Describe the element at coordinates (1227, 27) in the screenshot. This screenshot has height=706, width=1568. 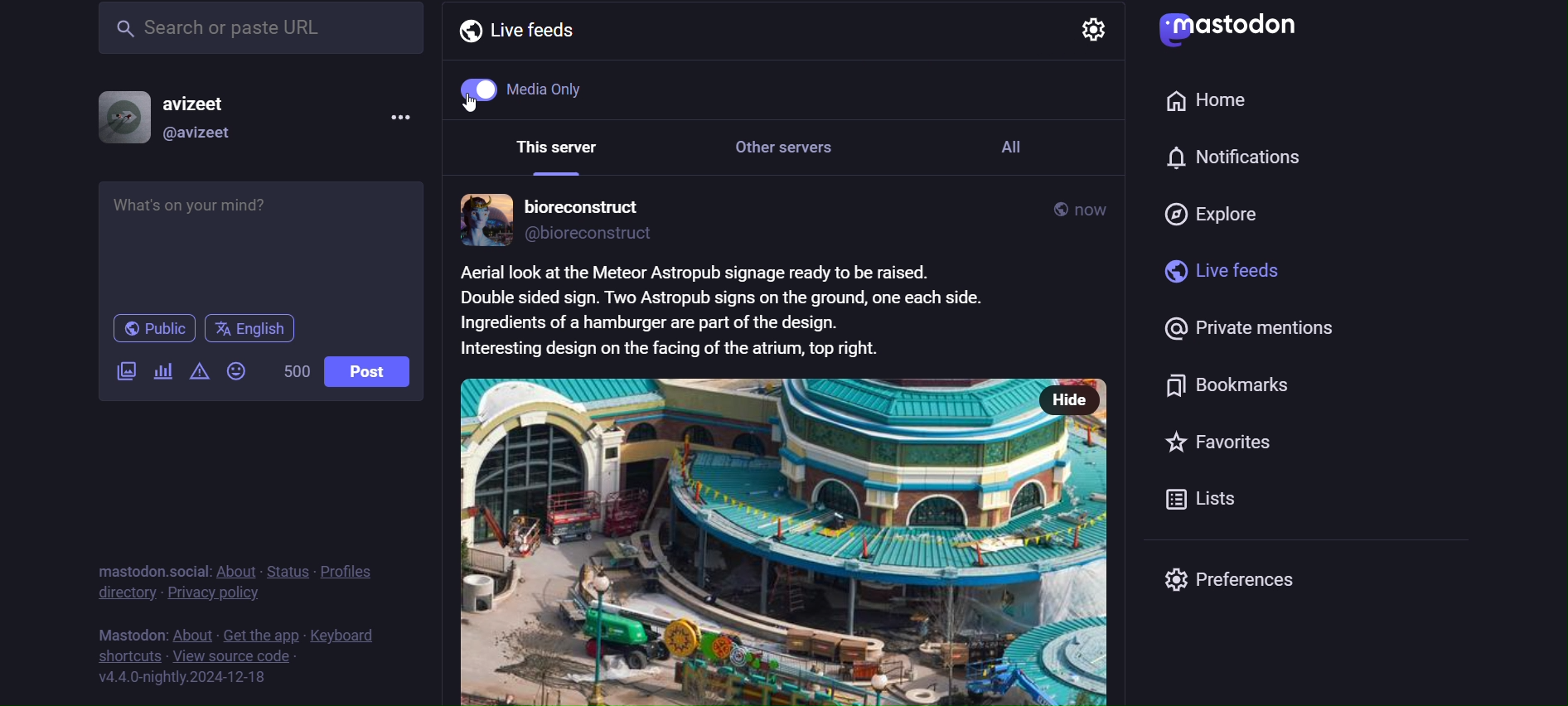
I see `mastodon` at that location.